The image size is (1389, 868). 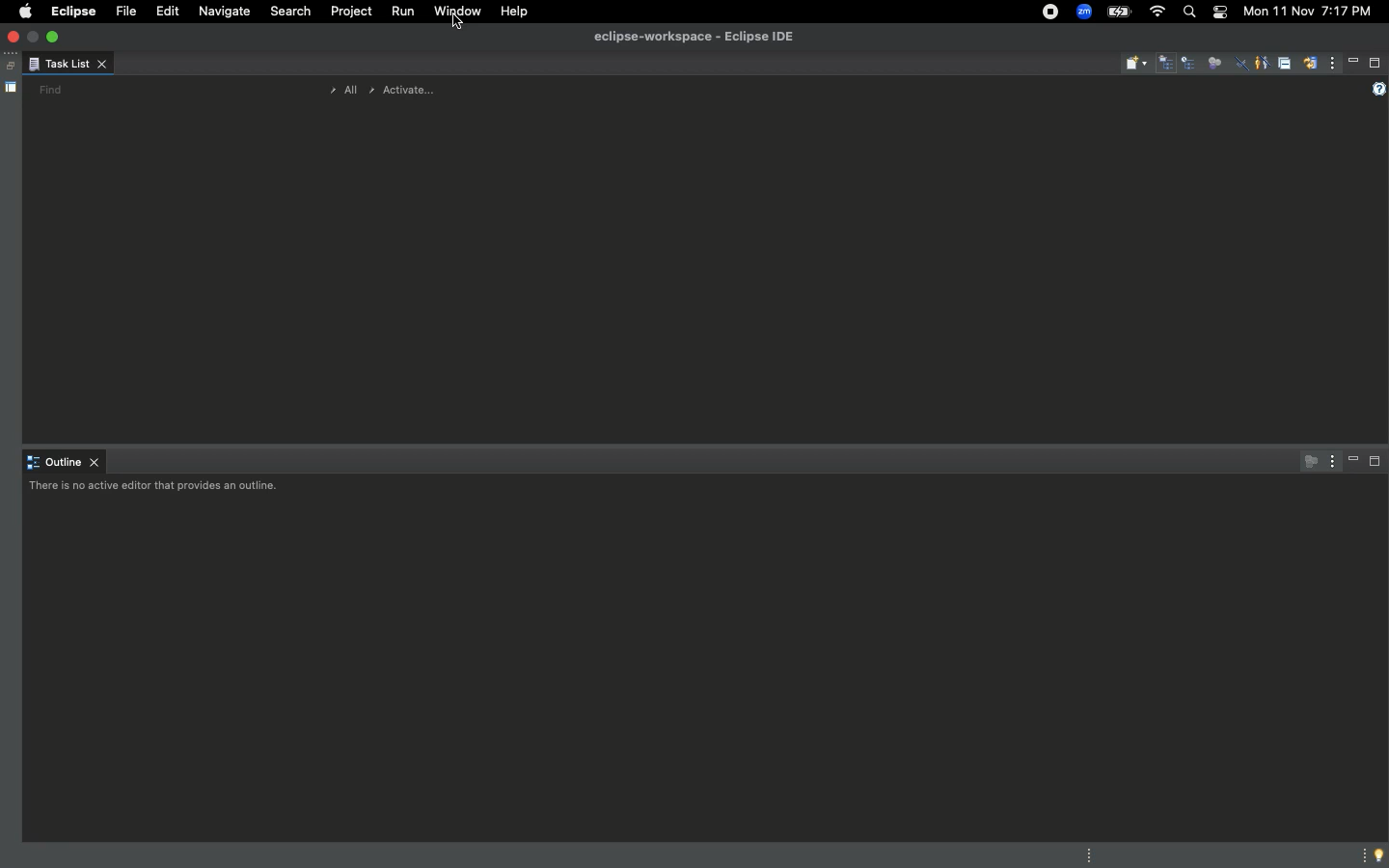 I want to click on Date/time, so click(x=1306, y=12).